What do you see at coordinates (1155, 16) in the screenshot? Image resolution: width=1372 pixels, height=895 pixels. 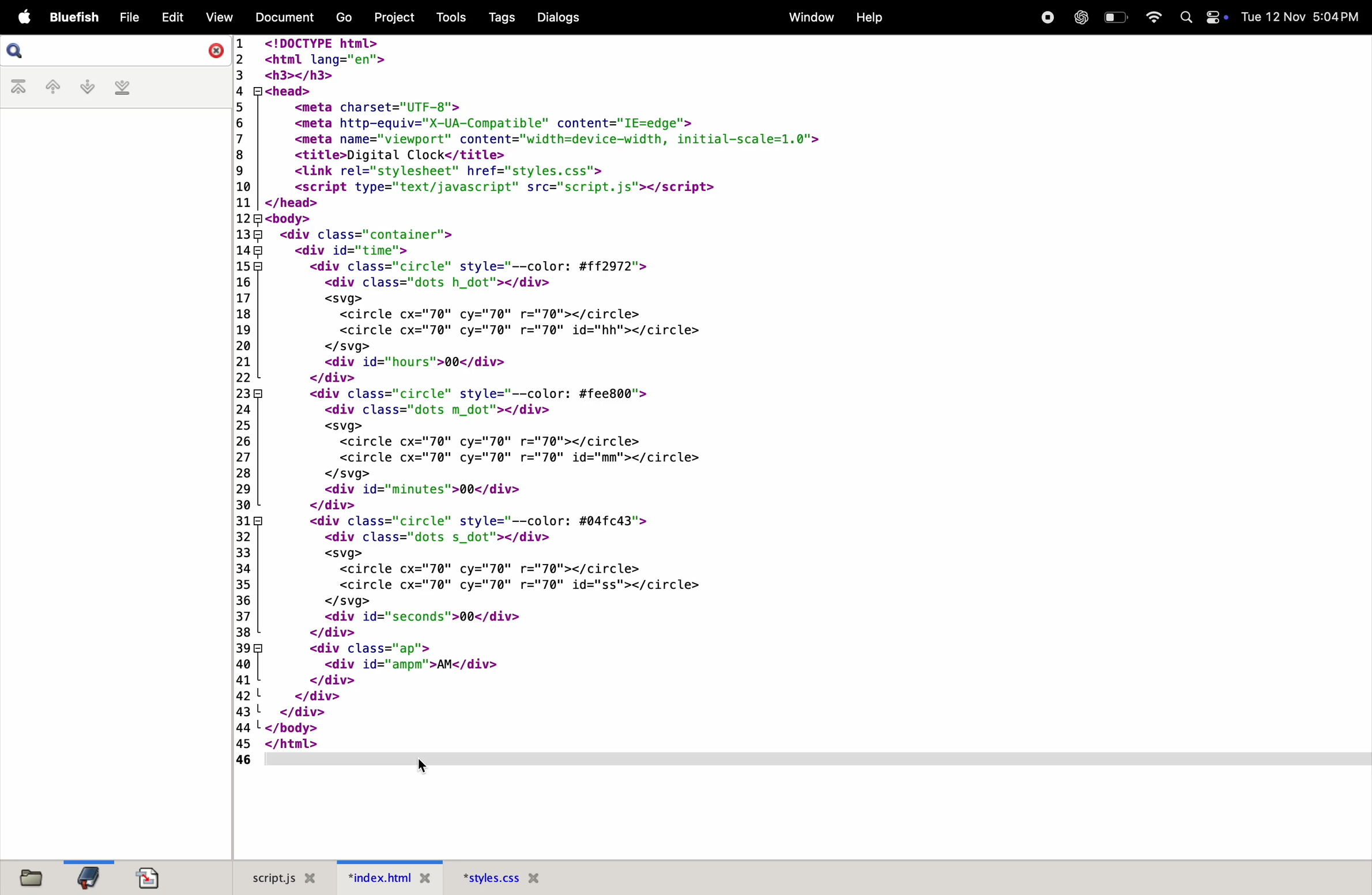 I see `wifi` at bounding box center [1155, 16].